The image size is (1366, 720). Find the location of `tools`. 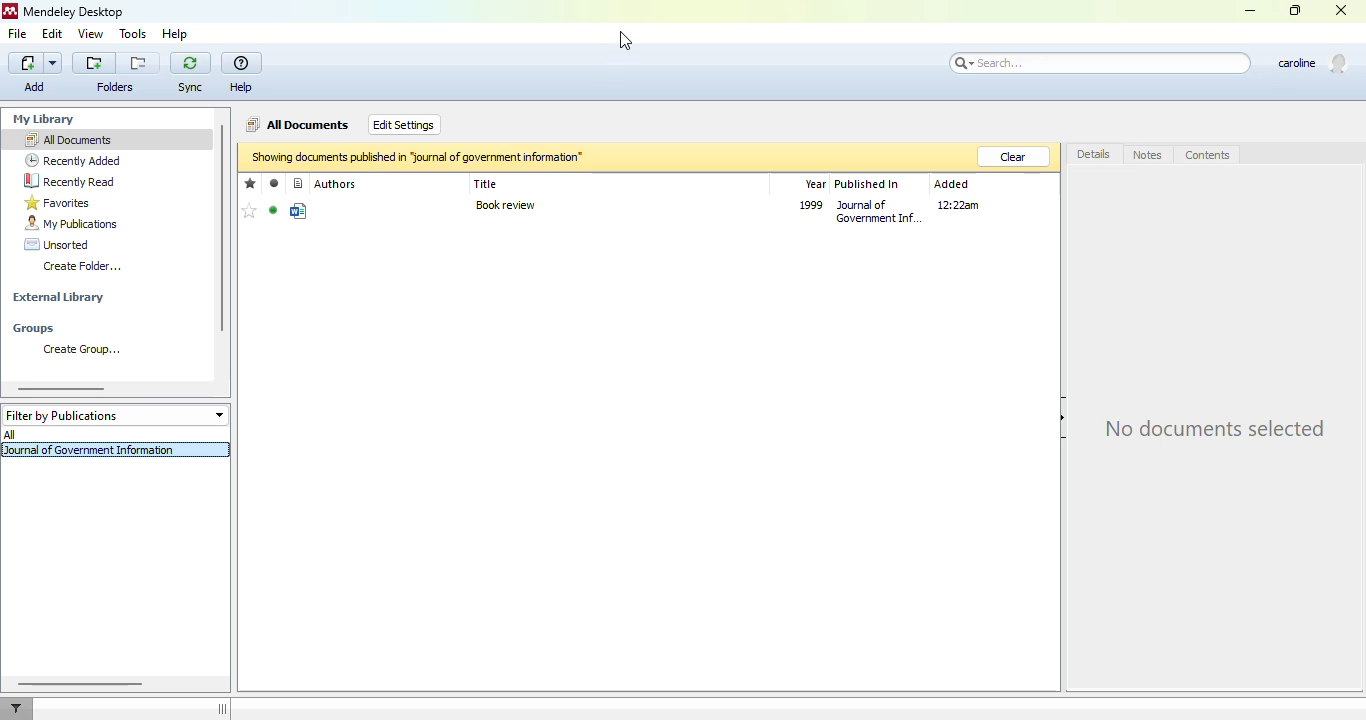

tools is located at coordinates (133, 34).